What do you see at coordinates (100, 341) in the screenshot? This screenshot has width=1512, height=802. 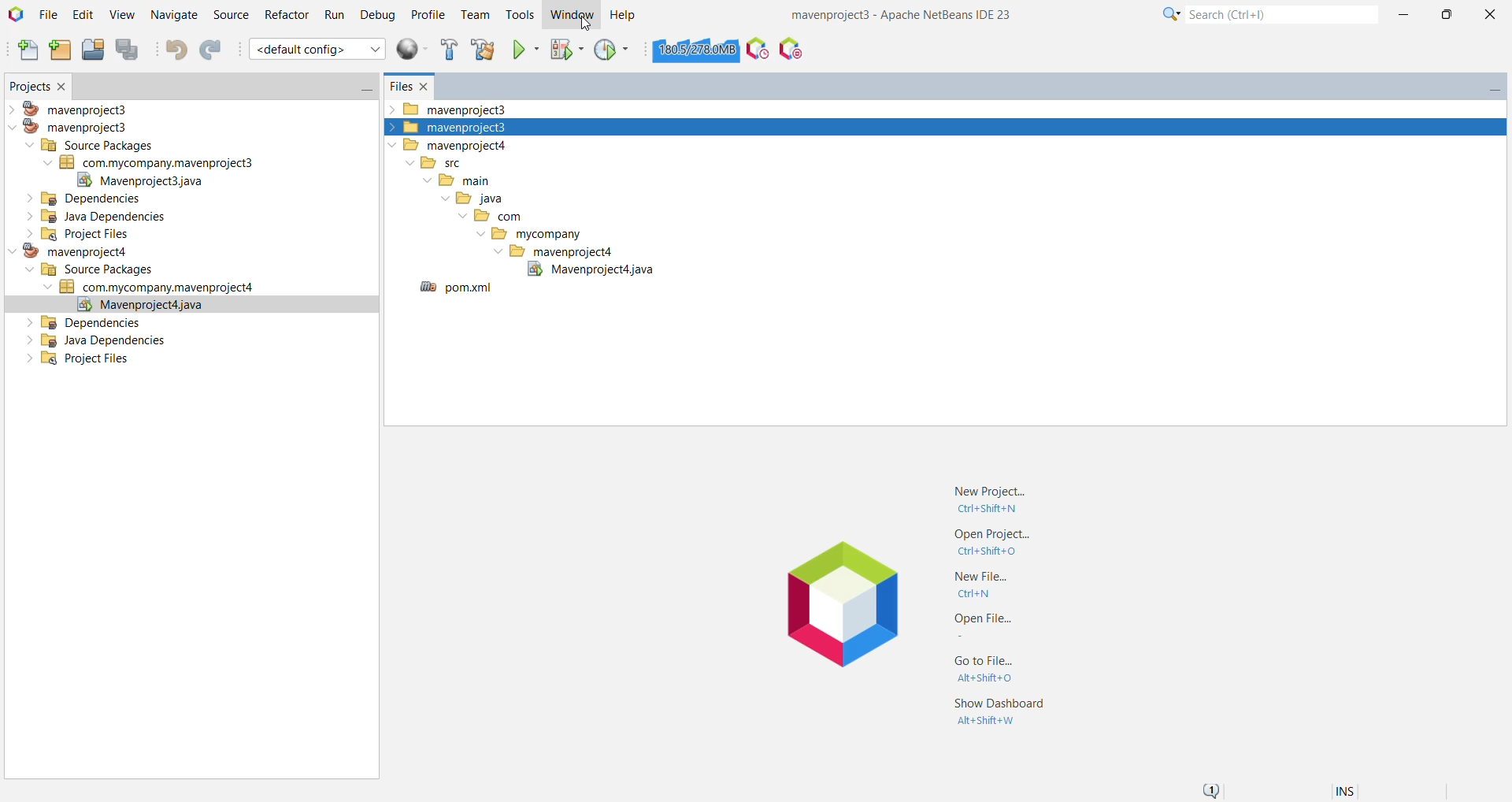 I see `Java Dependencies` at bounding box center [100, 341].